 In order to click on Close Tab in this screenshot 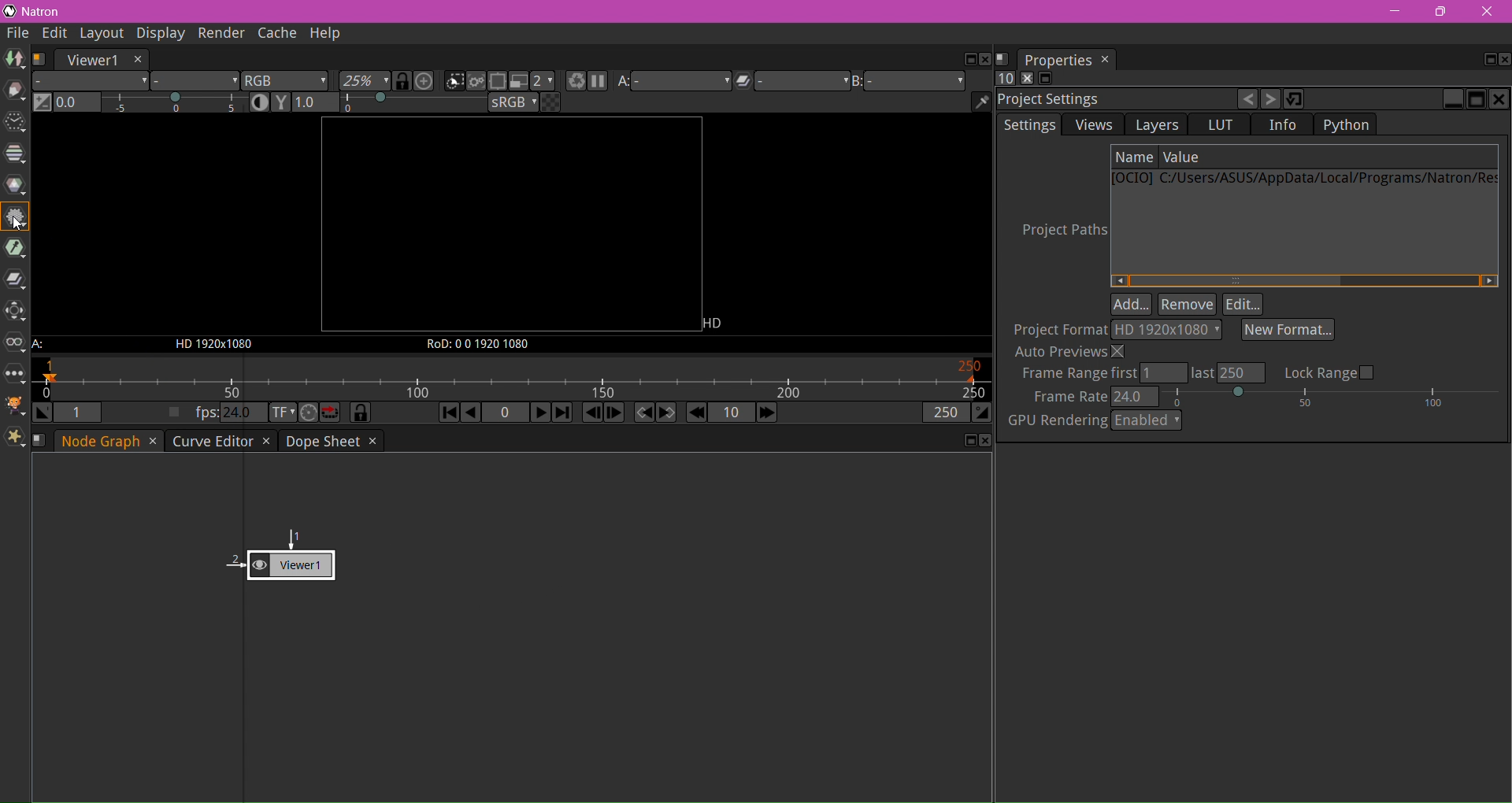, I will do `click(1106, 59)`.